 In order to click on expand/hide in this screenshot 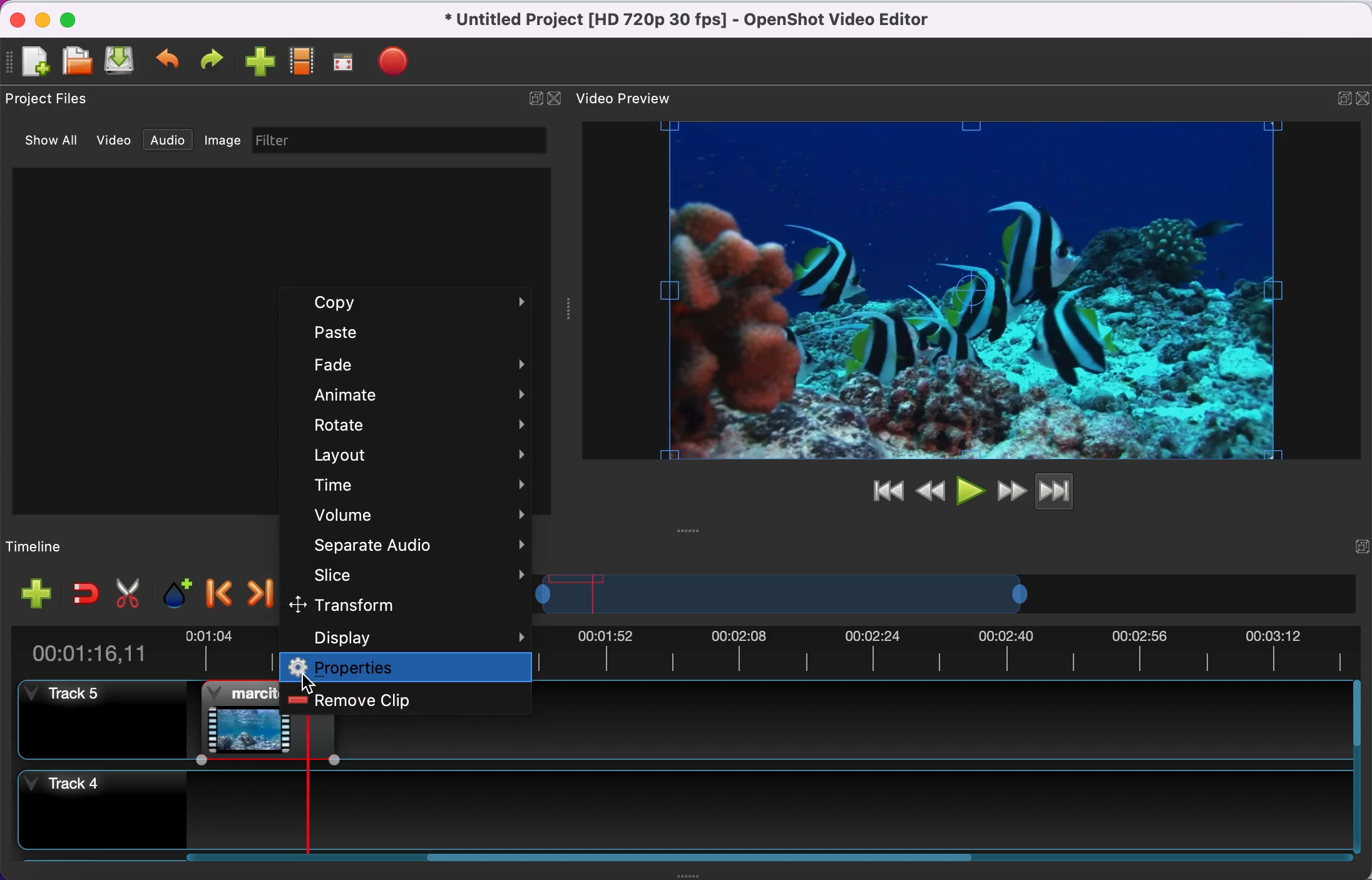, I will do `click(1360, 543)`.